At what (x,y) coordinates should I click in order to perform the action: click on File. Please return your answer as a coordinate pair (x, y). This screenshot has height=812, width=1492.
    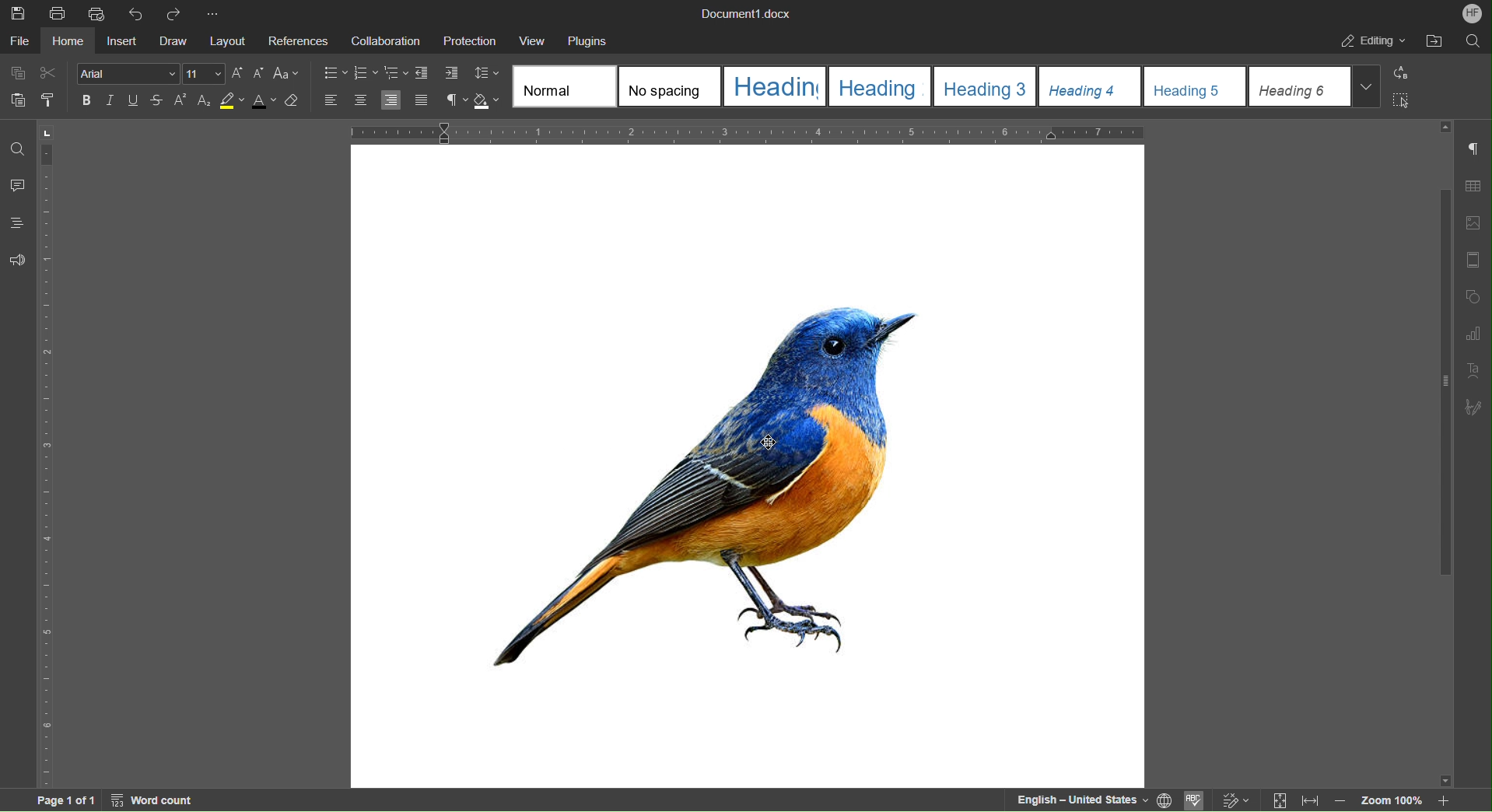
    Looking at the image, I should click on (22, 43).